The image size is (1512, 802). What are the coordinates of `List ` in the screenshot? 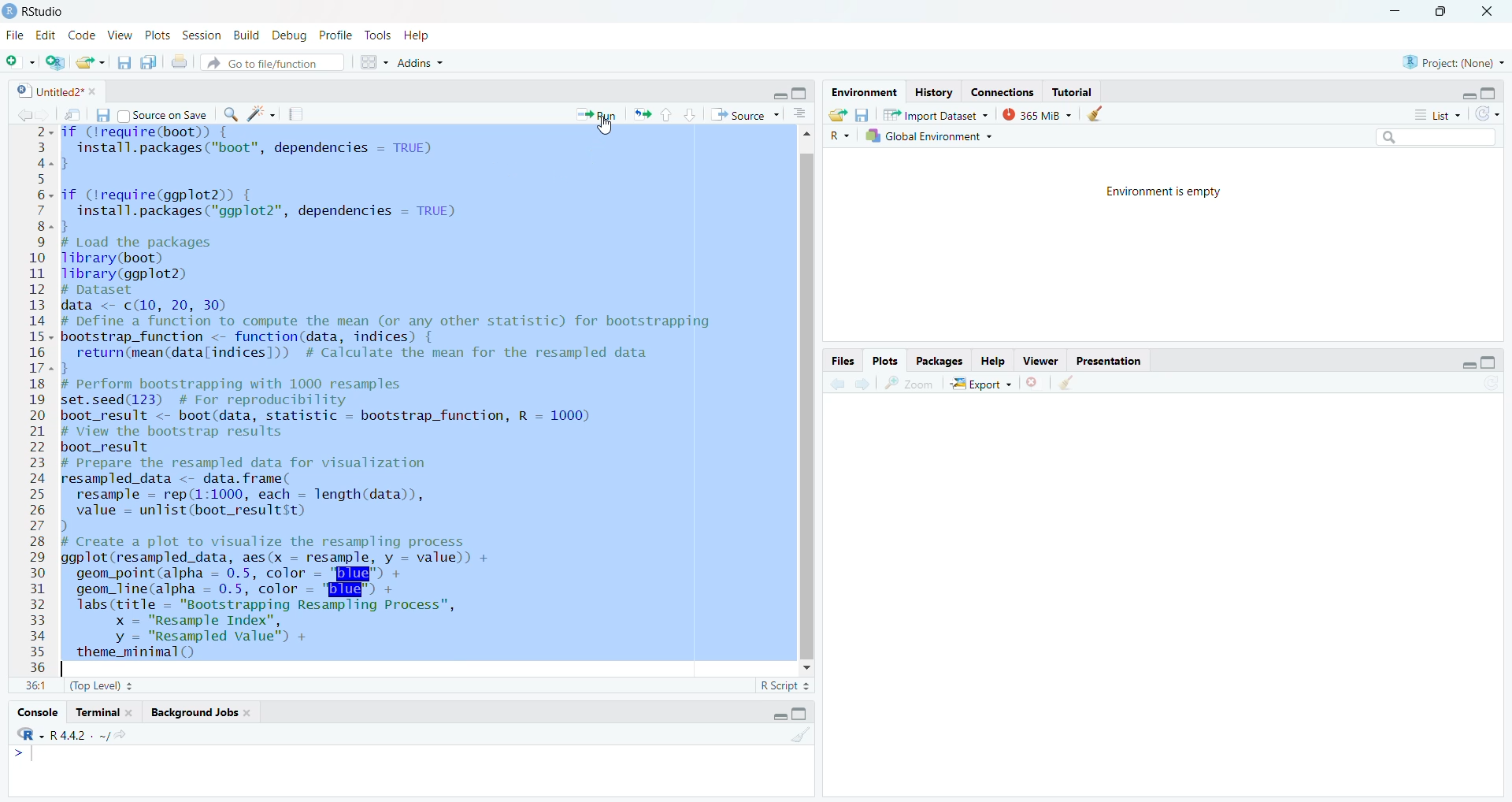 It's located at (1432, 113).